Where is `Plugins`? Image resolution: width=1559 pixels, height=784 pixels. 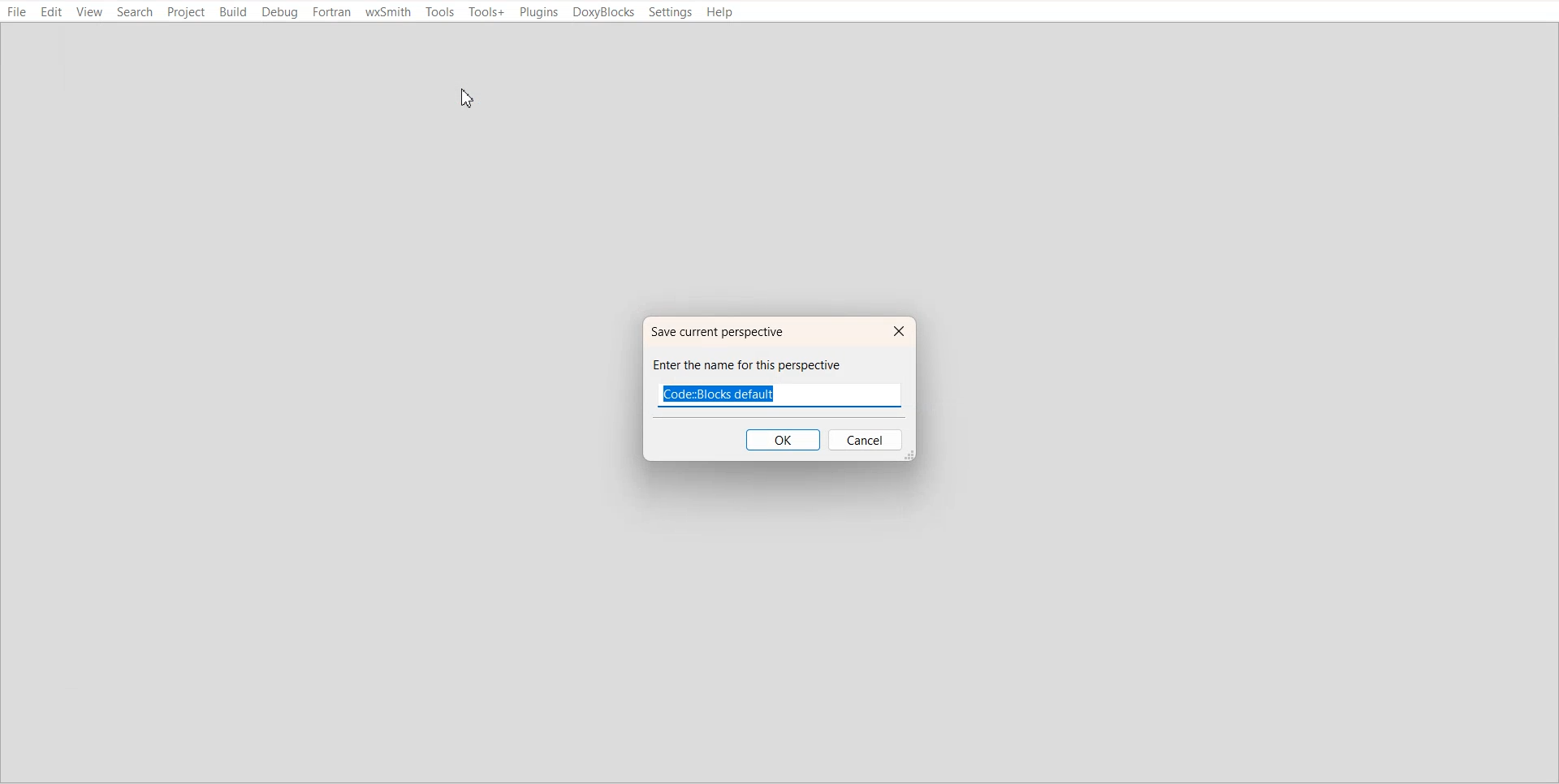
Plugins is located at coordinates (538, 13).